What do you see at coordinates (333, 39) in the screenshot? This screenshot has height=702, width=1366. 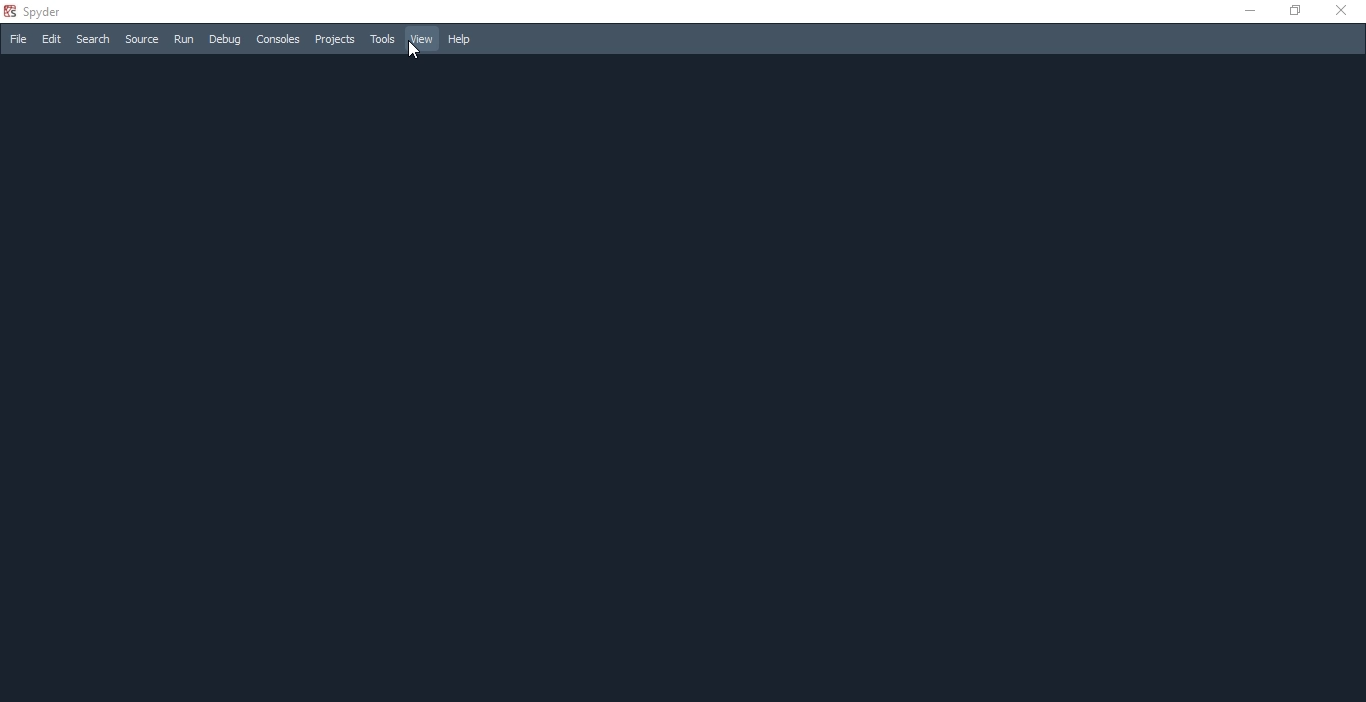 I see `Projects` at bounding box center [333, 39].